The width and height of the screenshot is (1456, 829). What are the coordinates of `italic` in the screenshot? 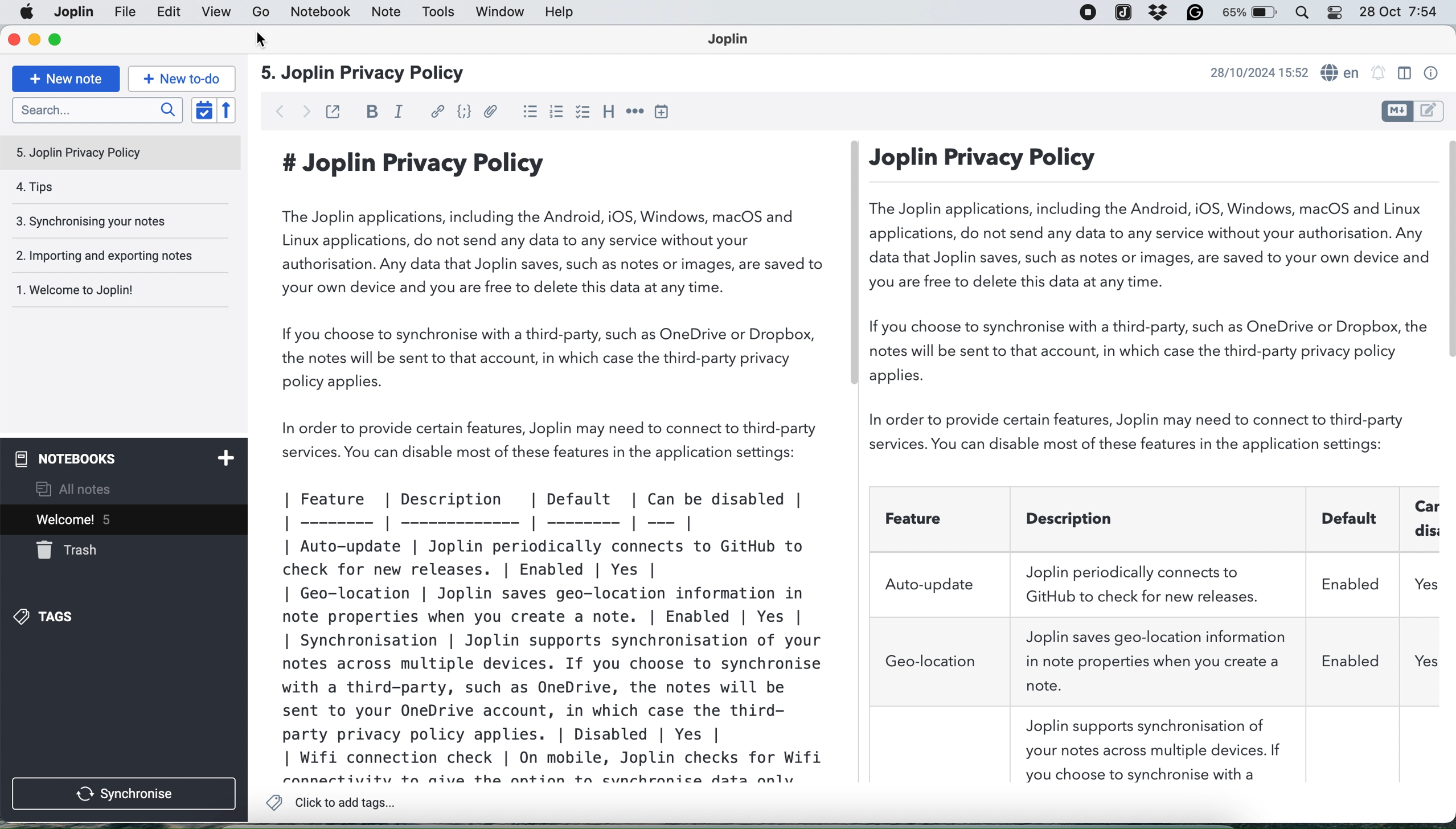 It's located at (399, 110).